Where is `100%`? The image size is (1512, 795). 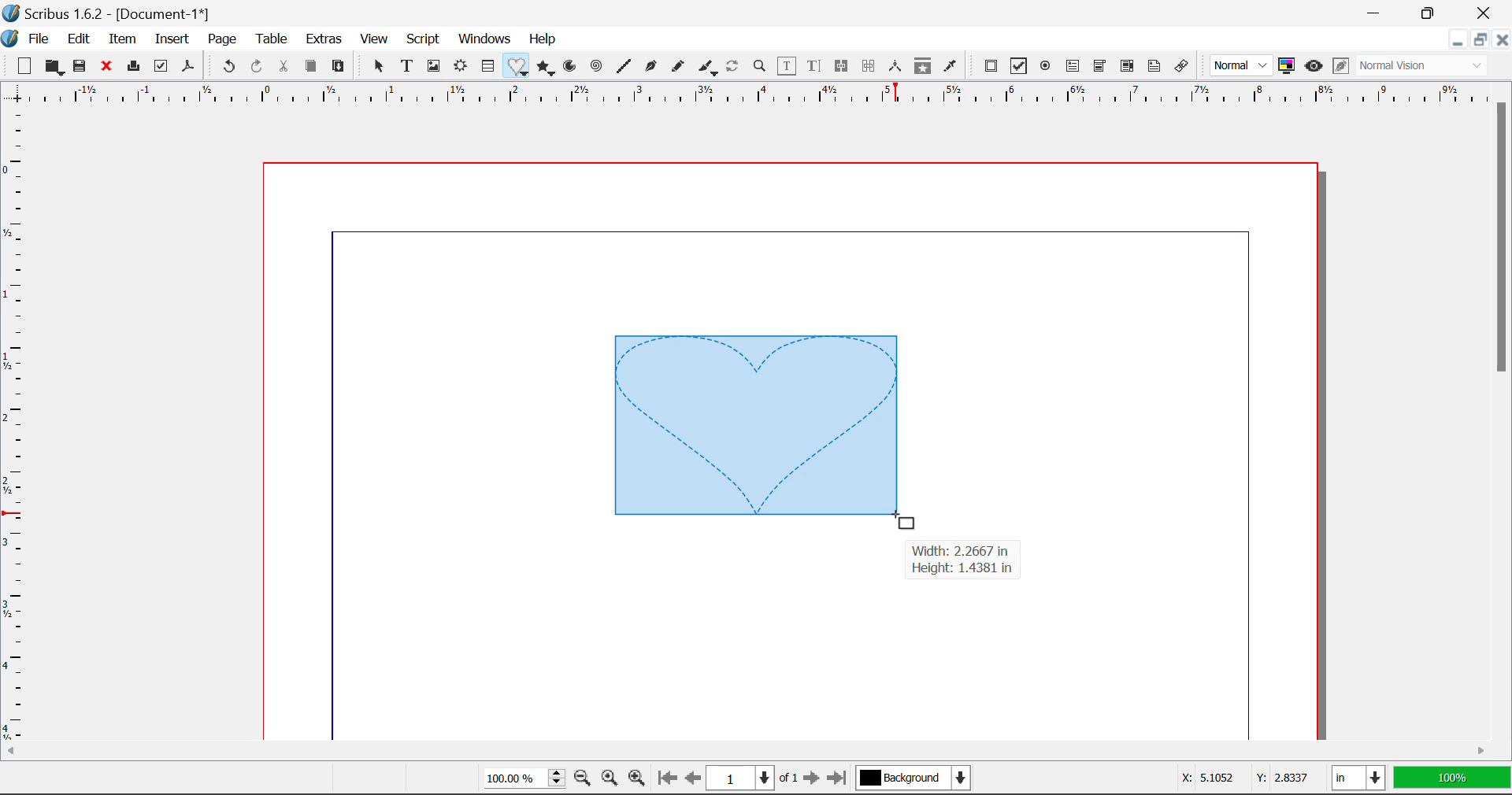
100% is located at coordinates (1451, 779).